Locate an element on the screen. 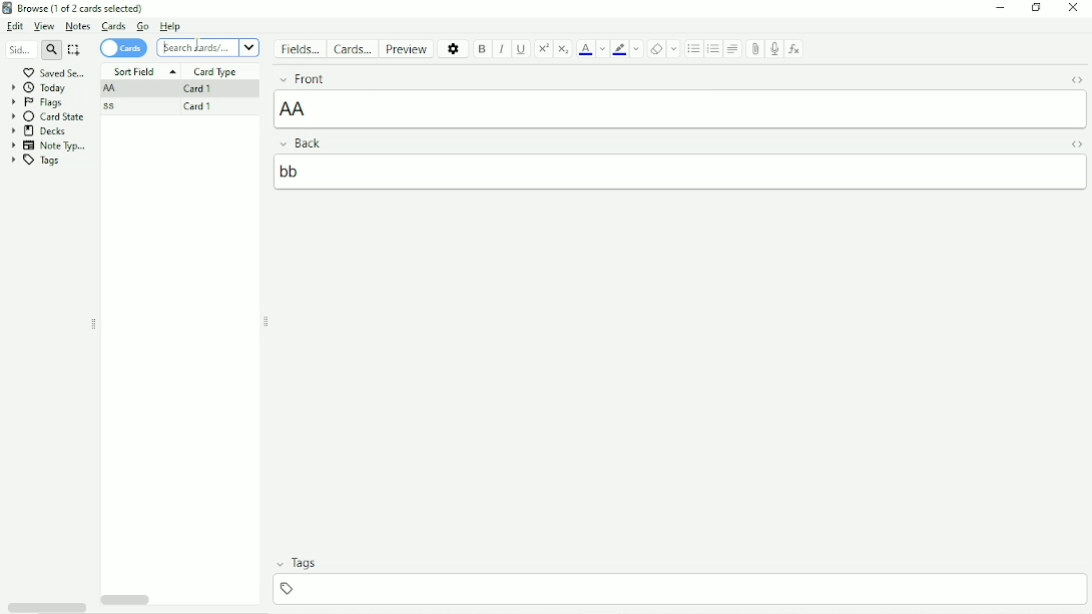 The width and height of the screenshot is (1092, 614). Unordered list is located at coordinates (692, 49).